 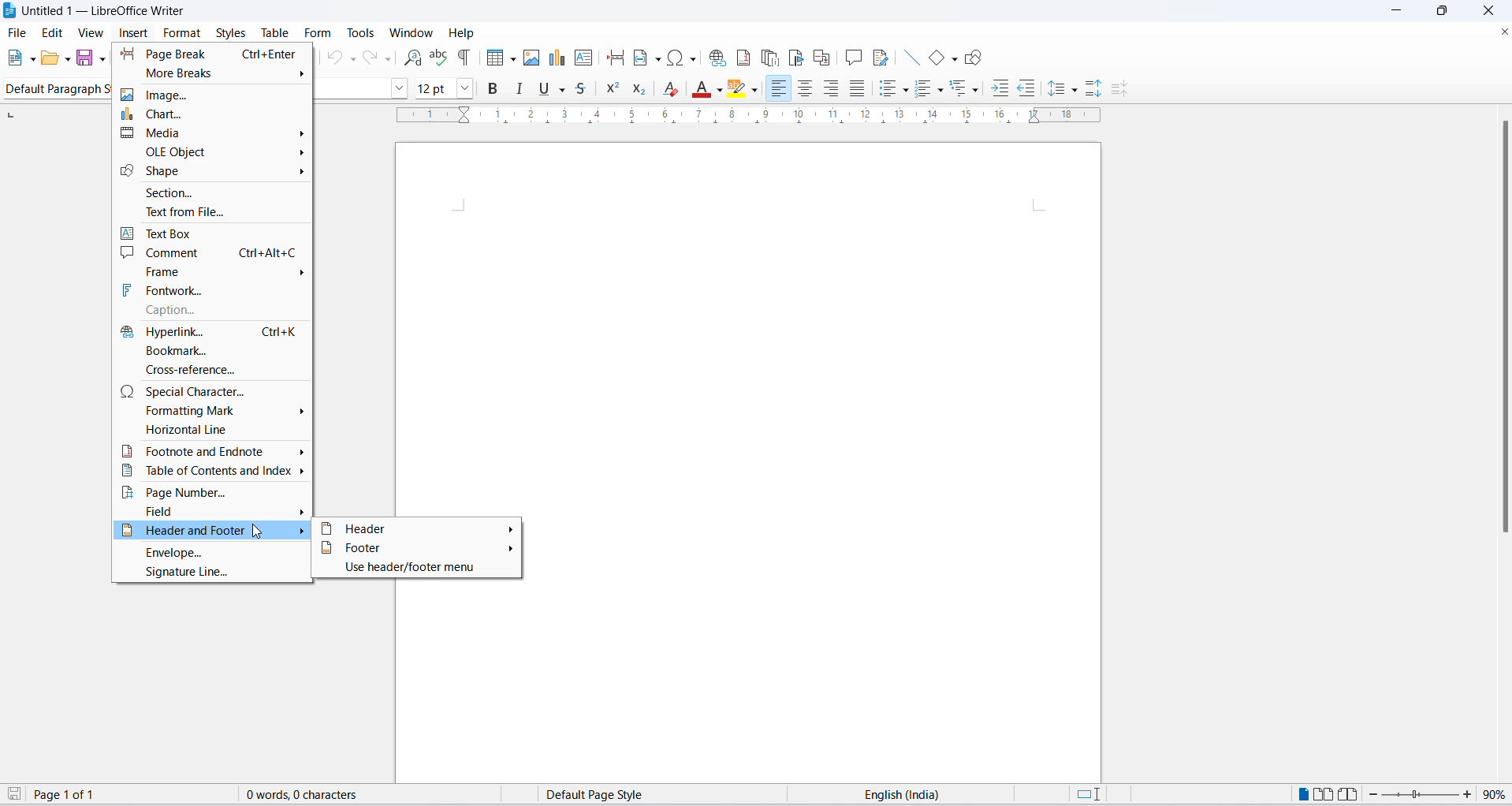 I want to click on save options, so click(x=102, y=59).